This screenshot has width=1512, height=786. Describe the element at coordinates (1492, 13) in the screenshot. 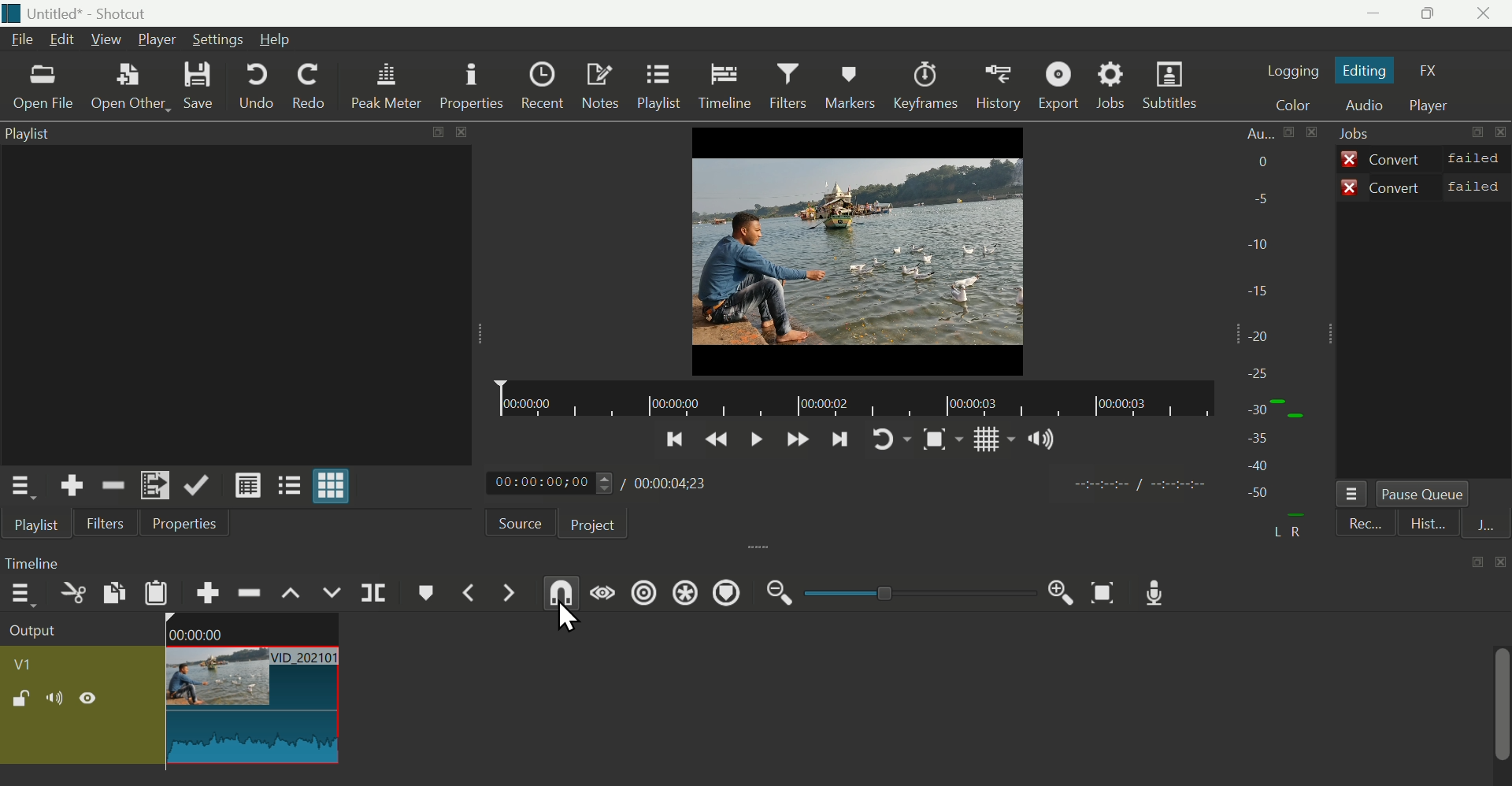

I see `Close` at that location.